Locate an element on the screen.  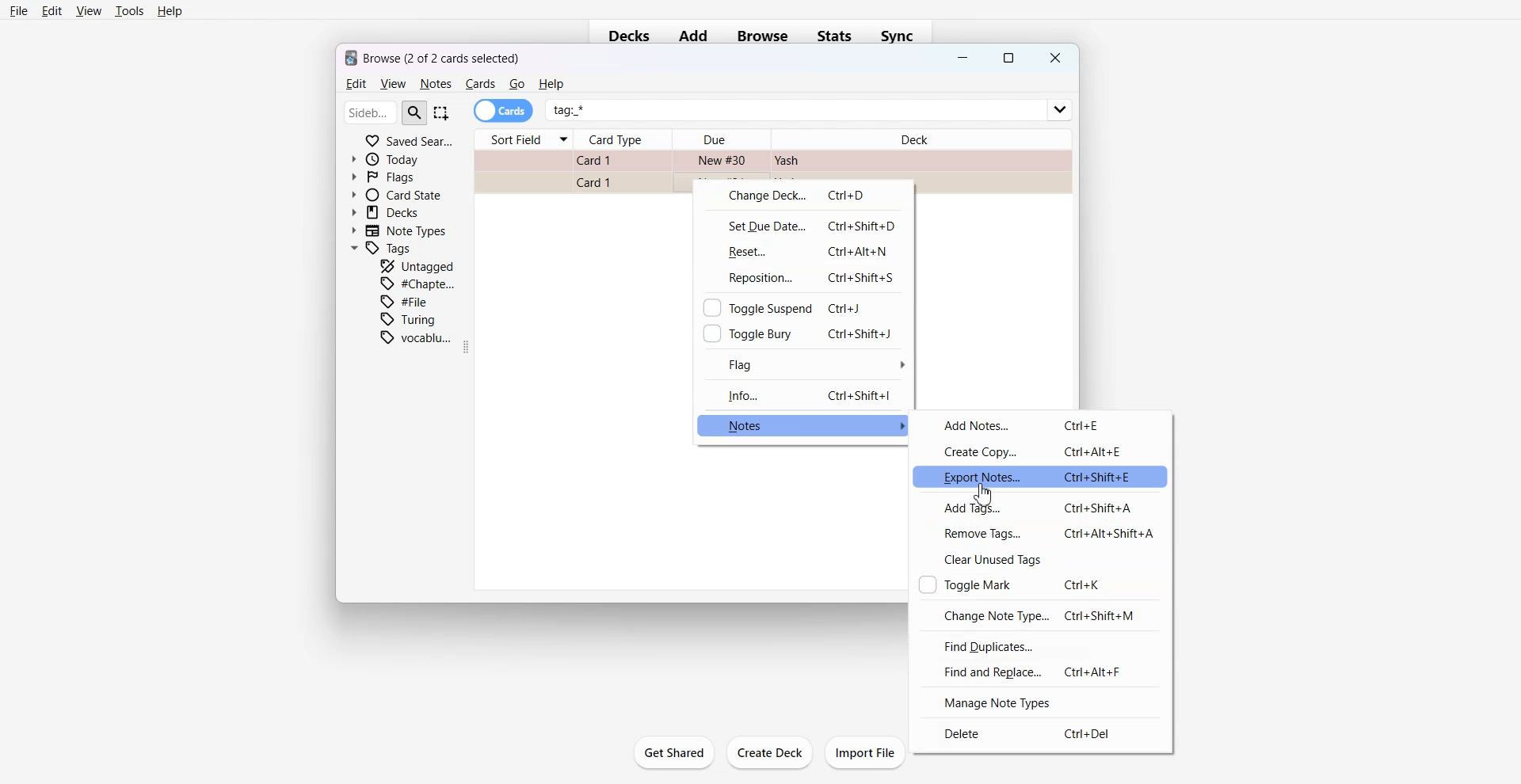
Flags is located at coordinates (383, 176).